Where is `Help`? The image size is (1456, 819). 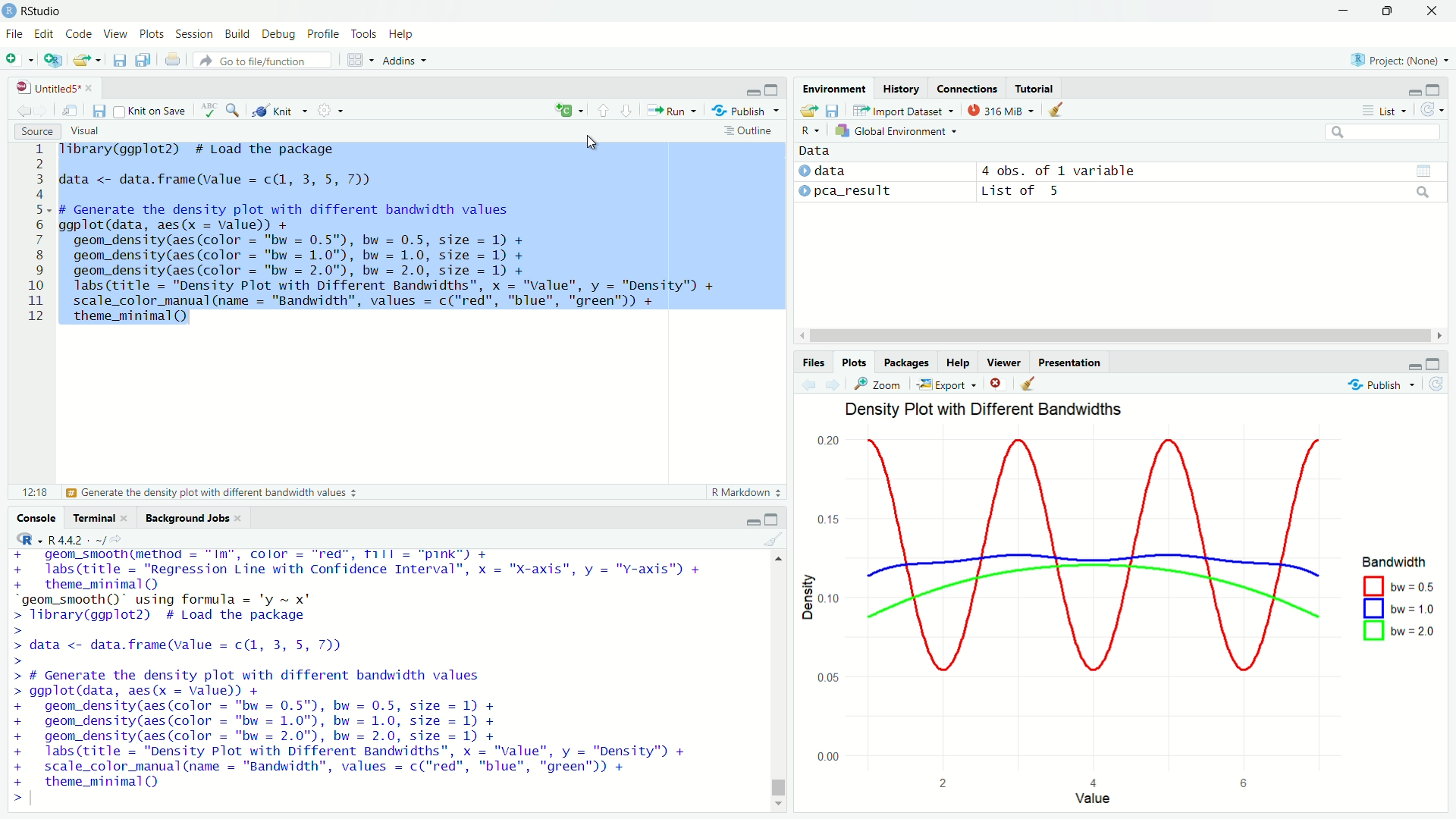
Help is located at coordinates (957, 362).